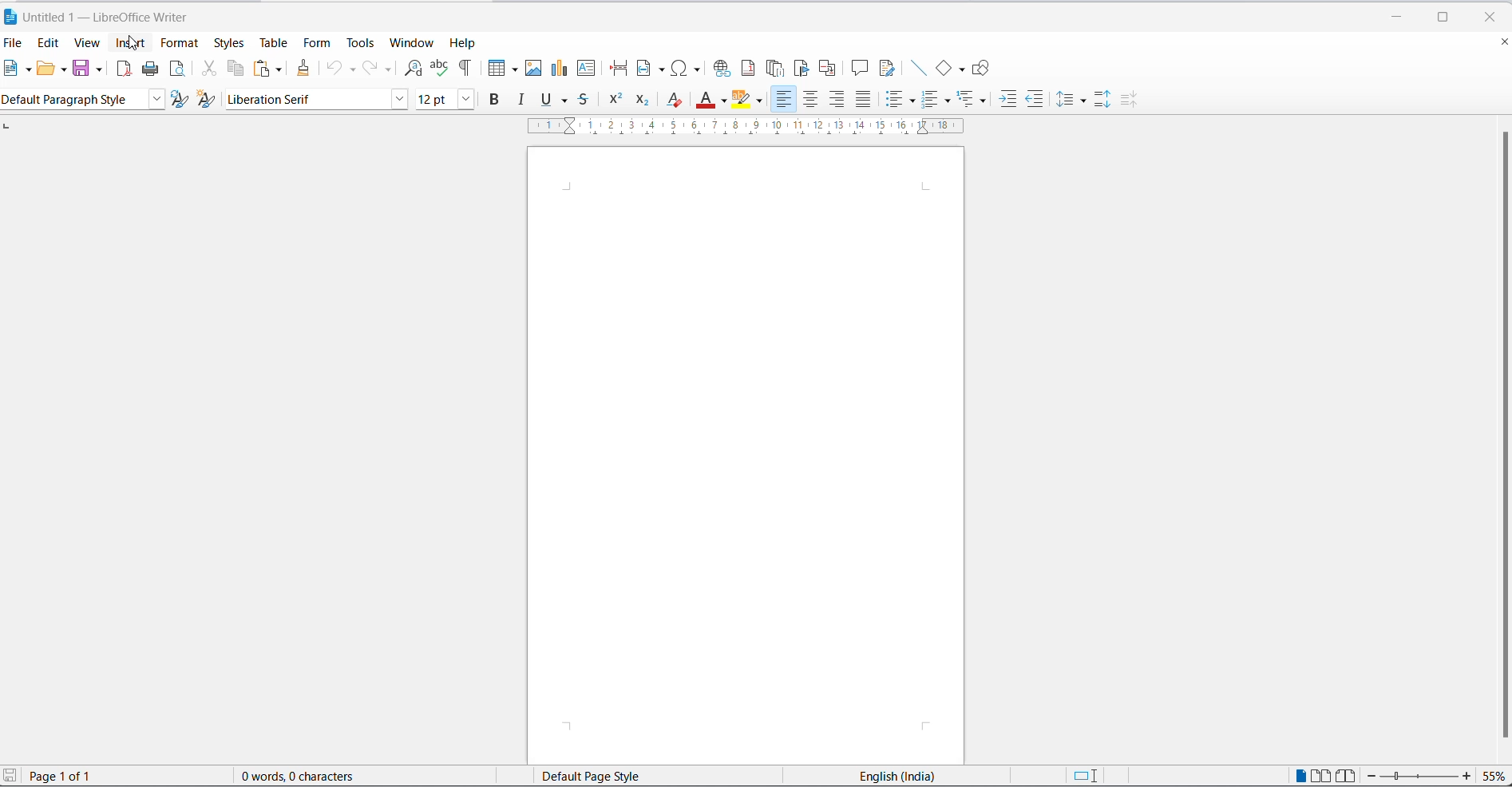  I want to click on line spacing options, so click(1086, 100).